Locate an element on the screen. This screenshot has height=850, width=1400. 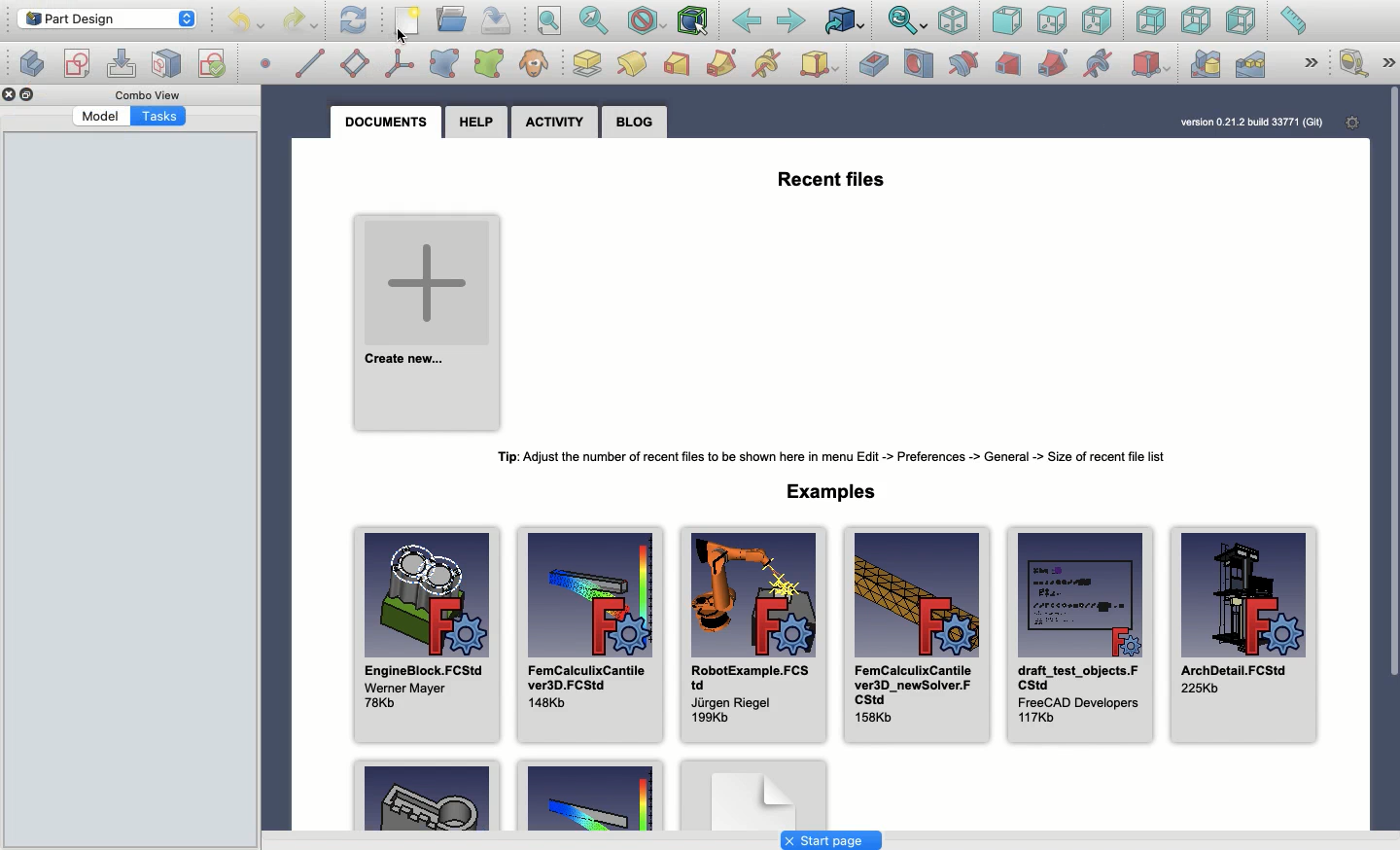
FemCalculixCantile ver3D_FCStd 148Kb is located at coordinates (589, 633).